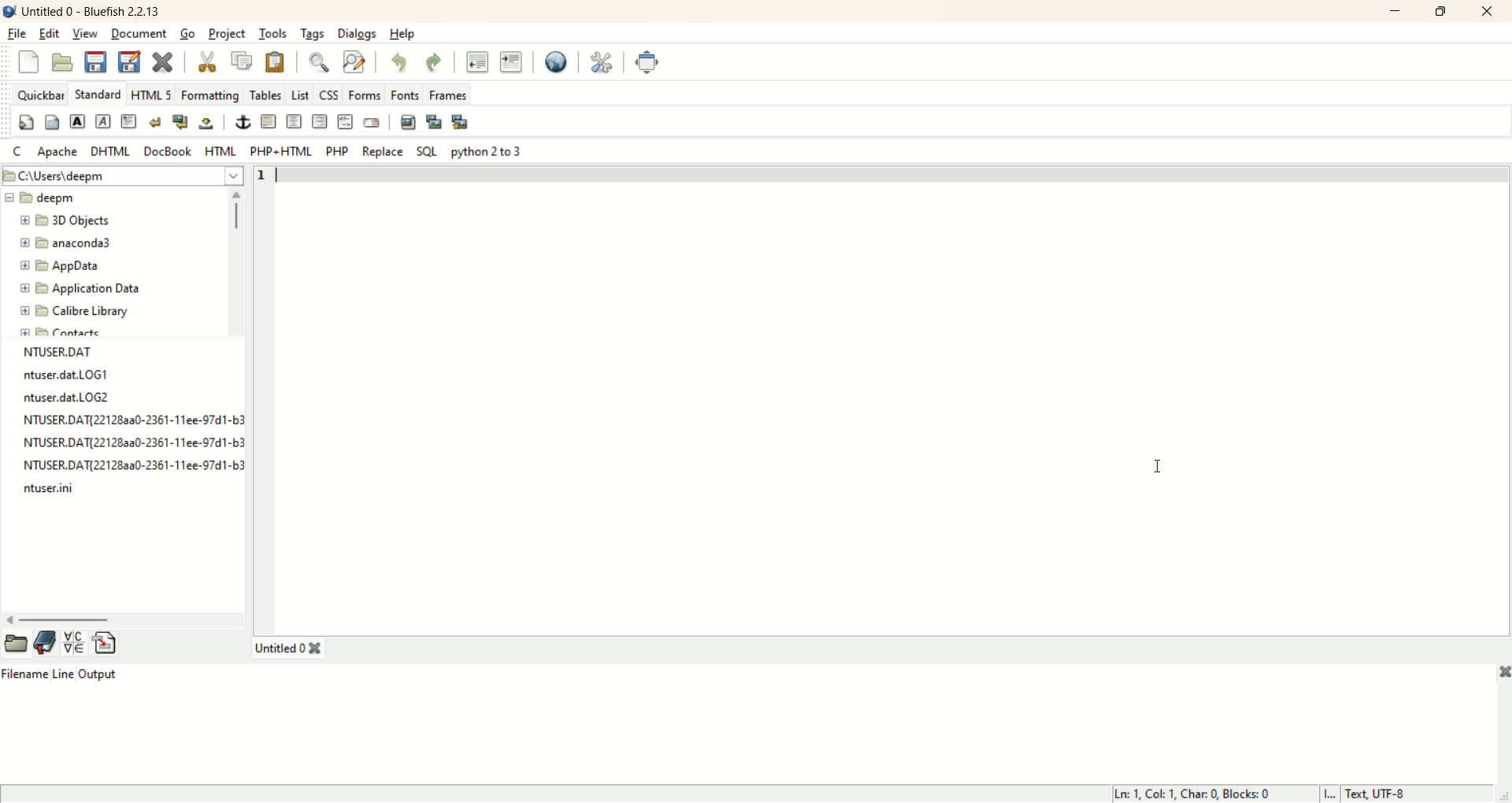 The width and height of the screenshot is (1512, 803). I want to click on title, so click(95, 11).